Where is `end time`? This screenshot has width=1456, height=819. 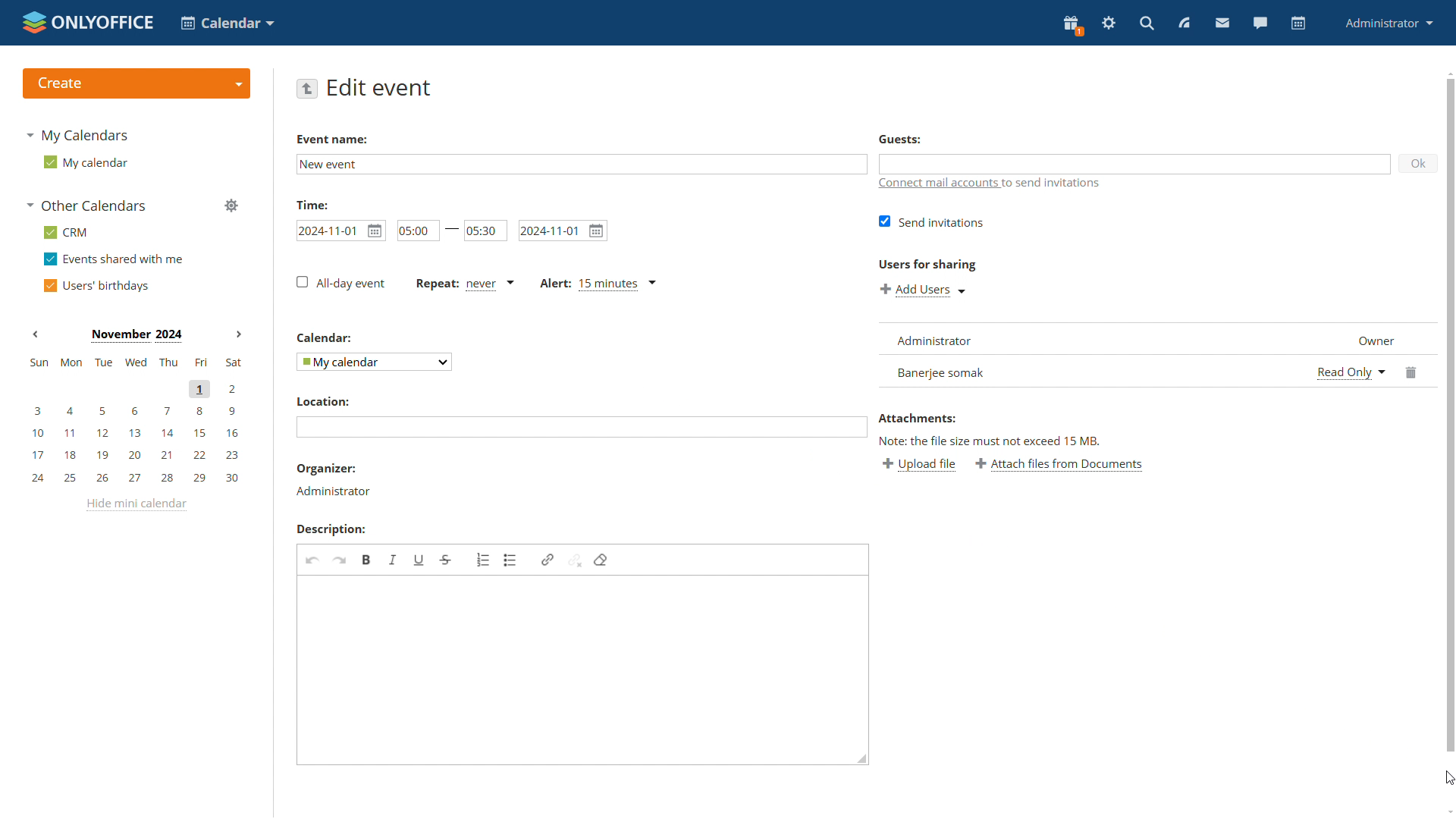
end time is located at coordinates (487, 230).